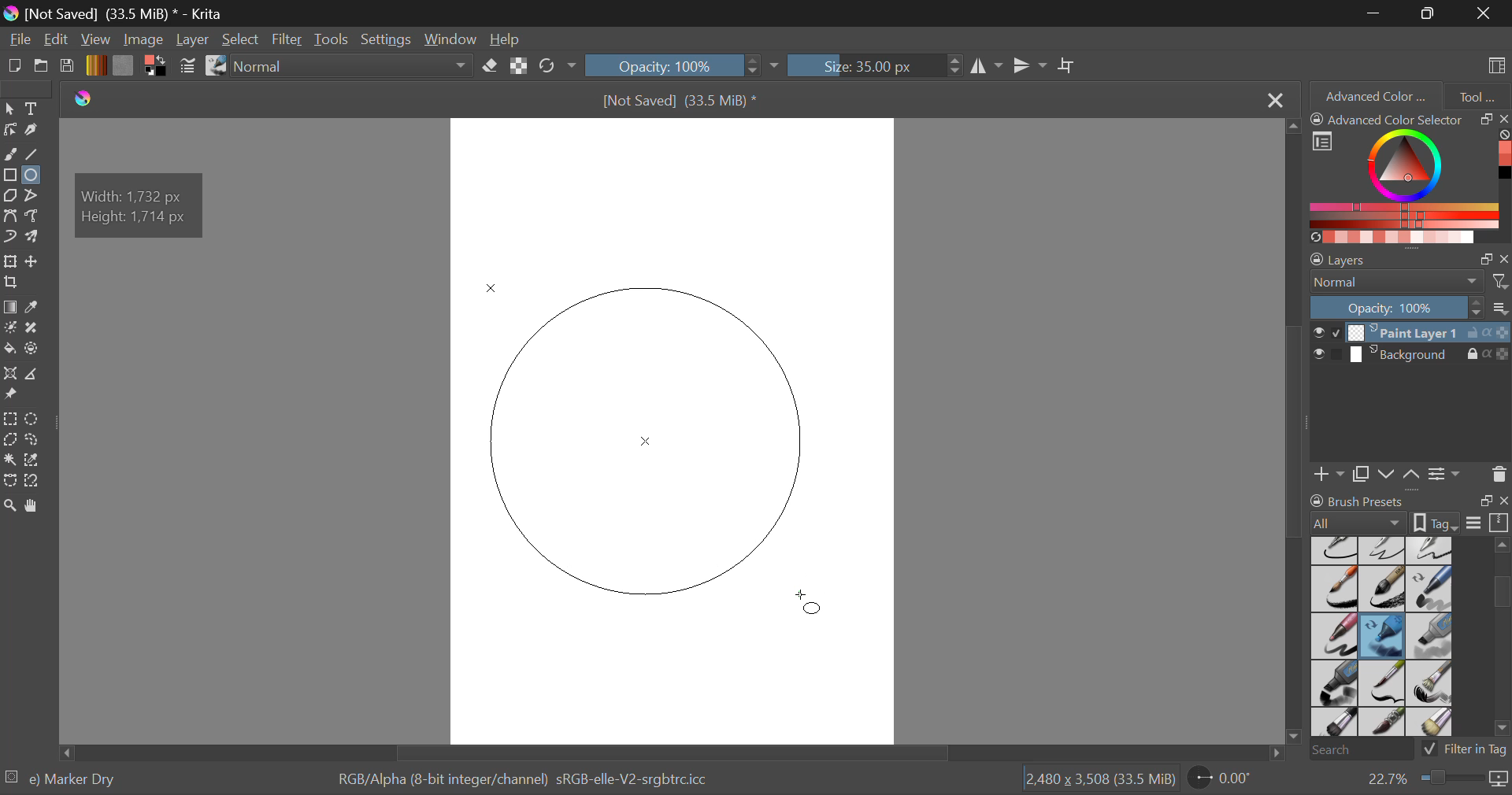  Describe the element at coordinates (9, 261) in the screenshot. I see `Transform a layer` at that location.